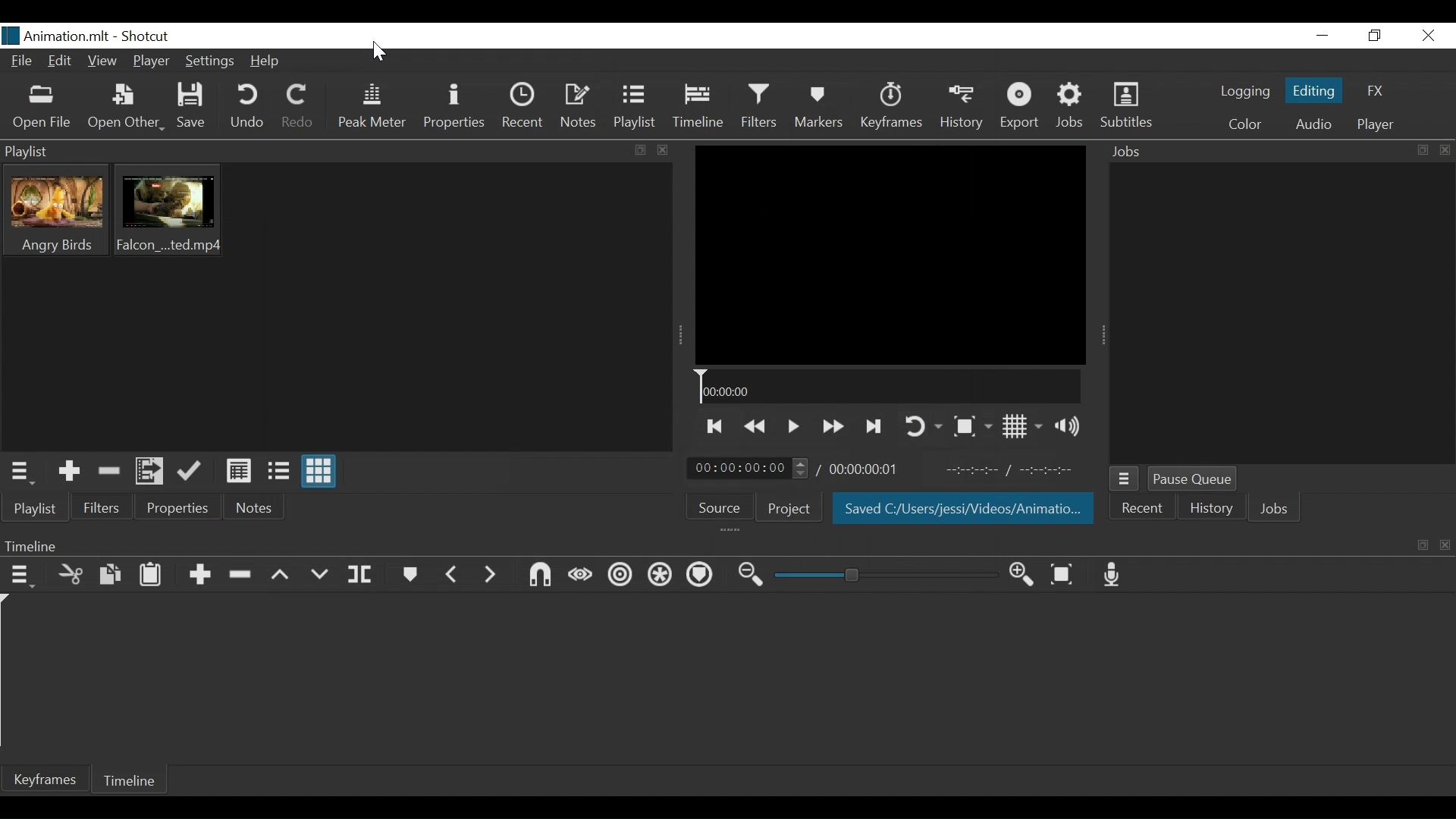 This screenshot has height=819, width=1456. I want to click on Subtitles, so click(1125, 107).